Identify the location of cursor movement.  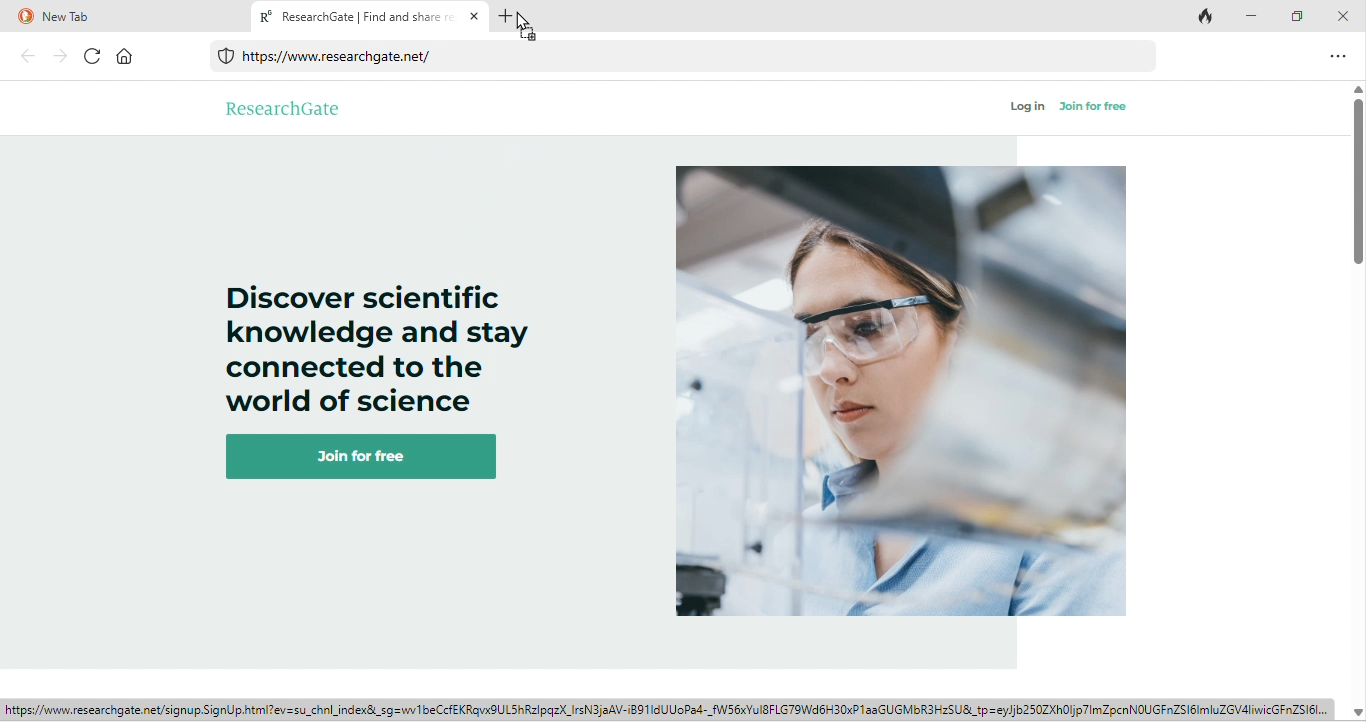
(529, 23).